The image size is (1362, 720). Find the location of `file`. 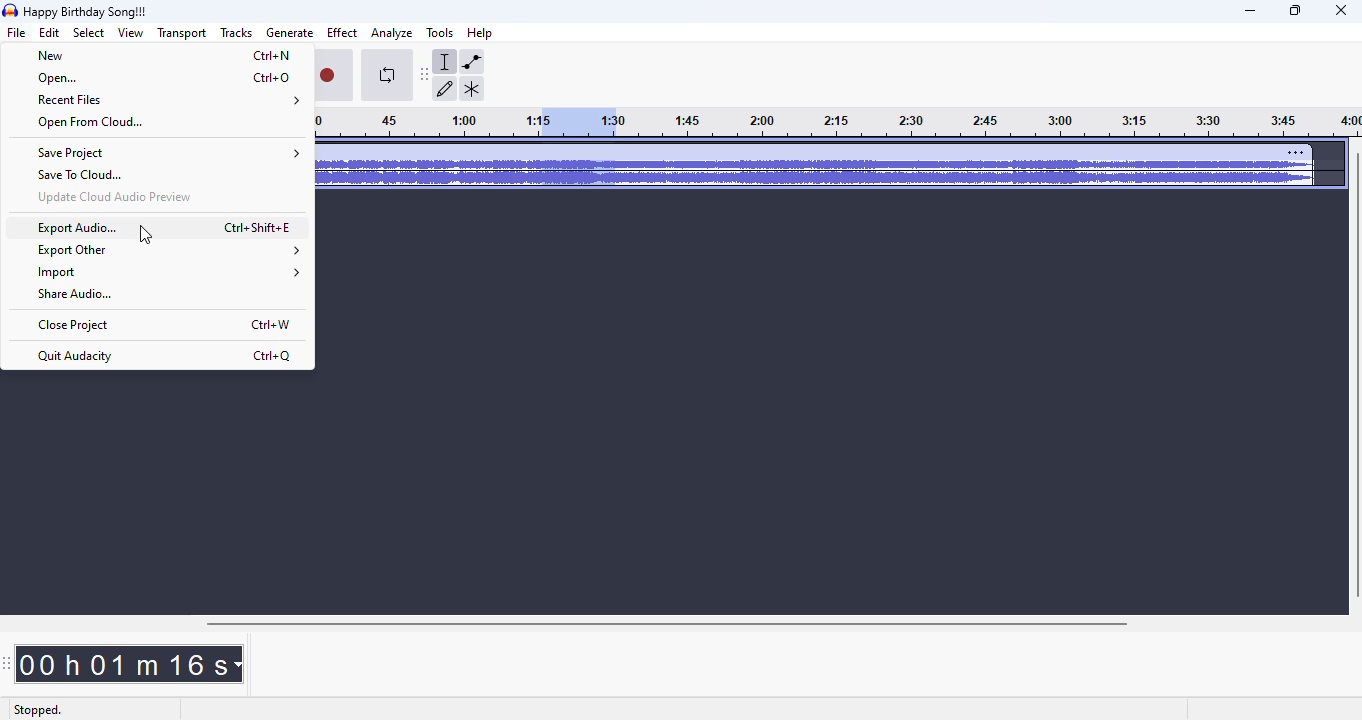

file is located at coordinates (17, 33).